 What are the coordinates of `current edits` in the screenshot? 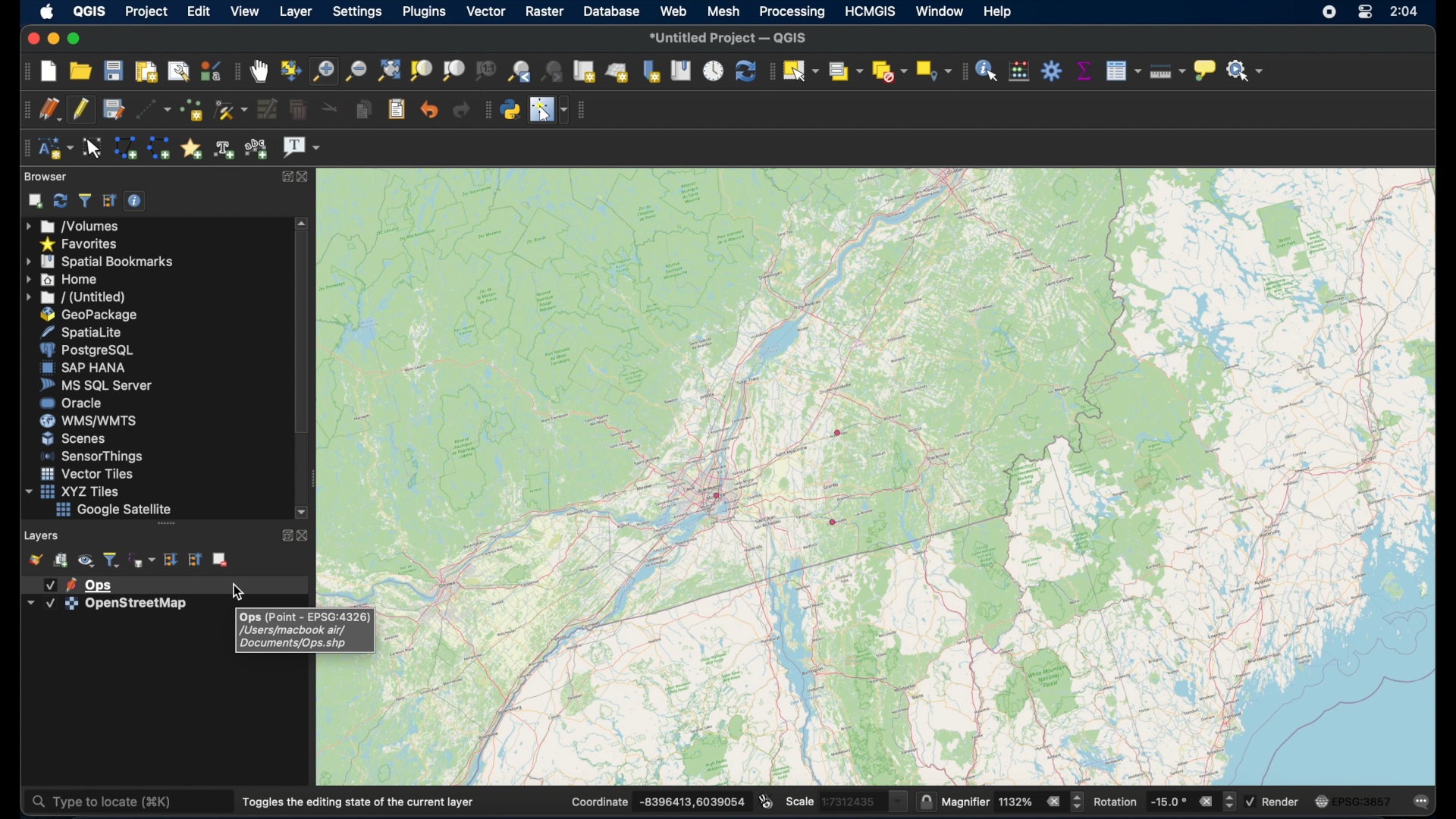 It's located at (49, 109).